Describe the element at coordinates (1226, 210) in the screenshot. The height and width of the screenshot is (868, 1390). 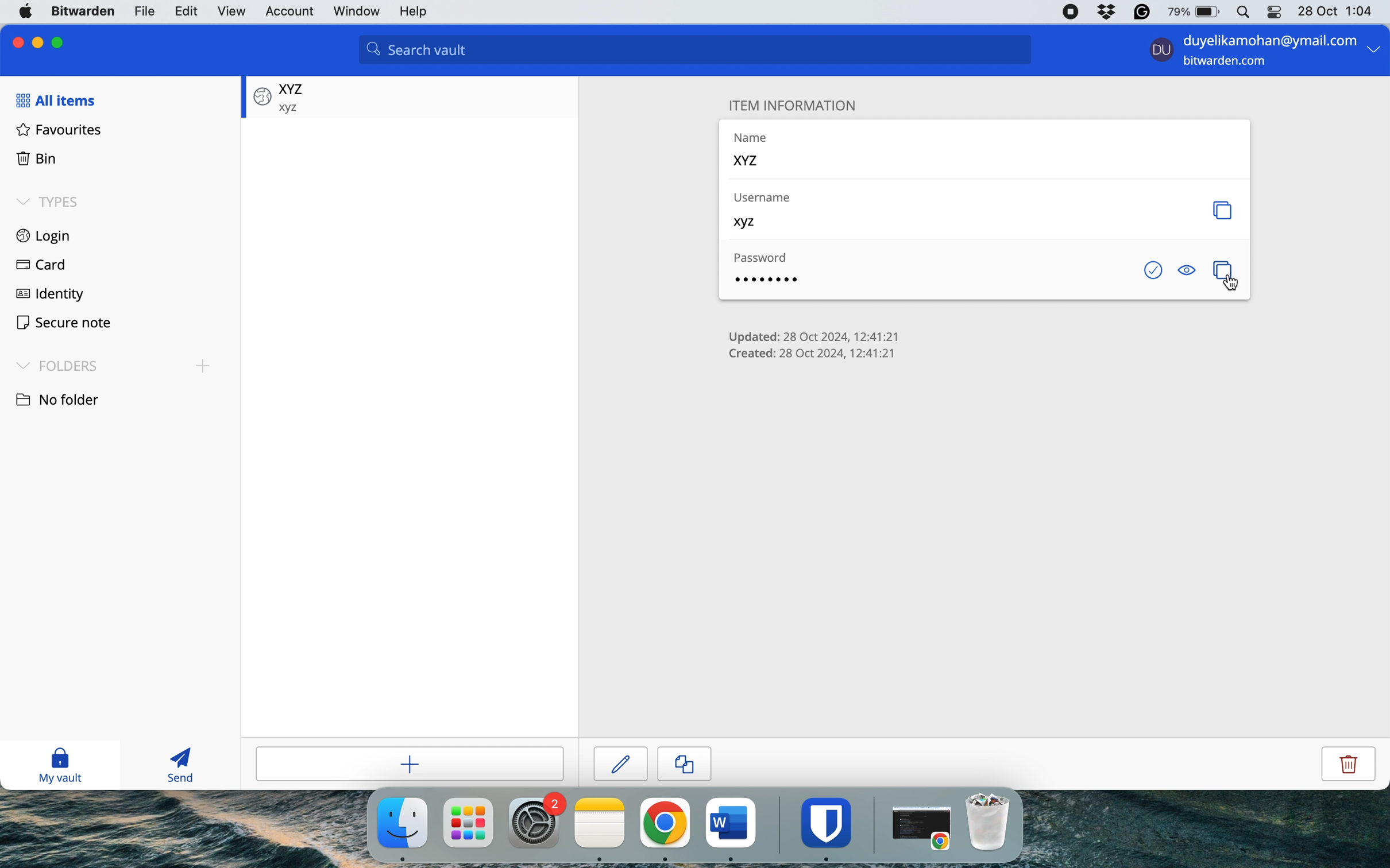
I see `copy` at that location.